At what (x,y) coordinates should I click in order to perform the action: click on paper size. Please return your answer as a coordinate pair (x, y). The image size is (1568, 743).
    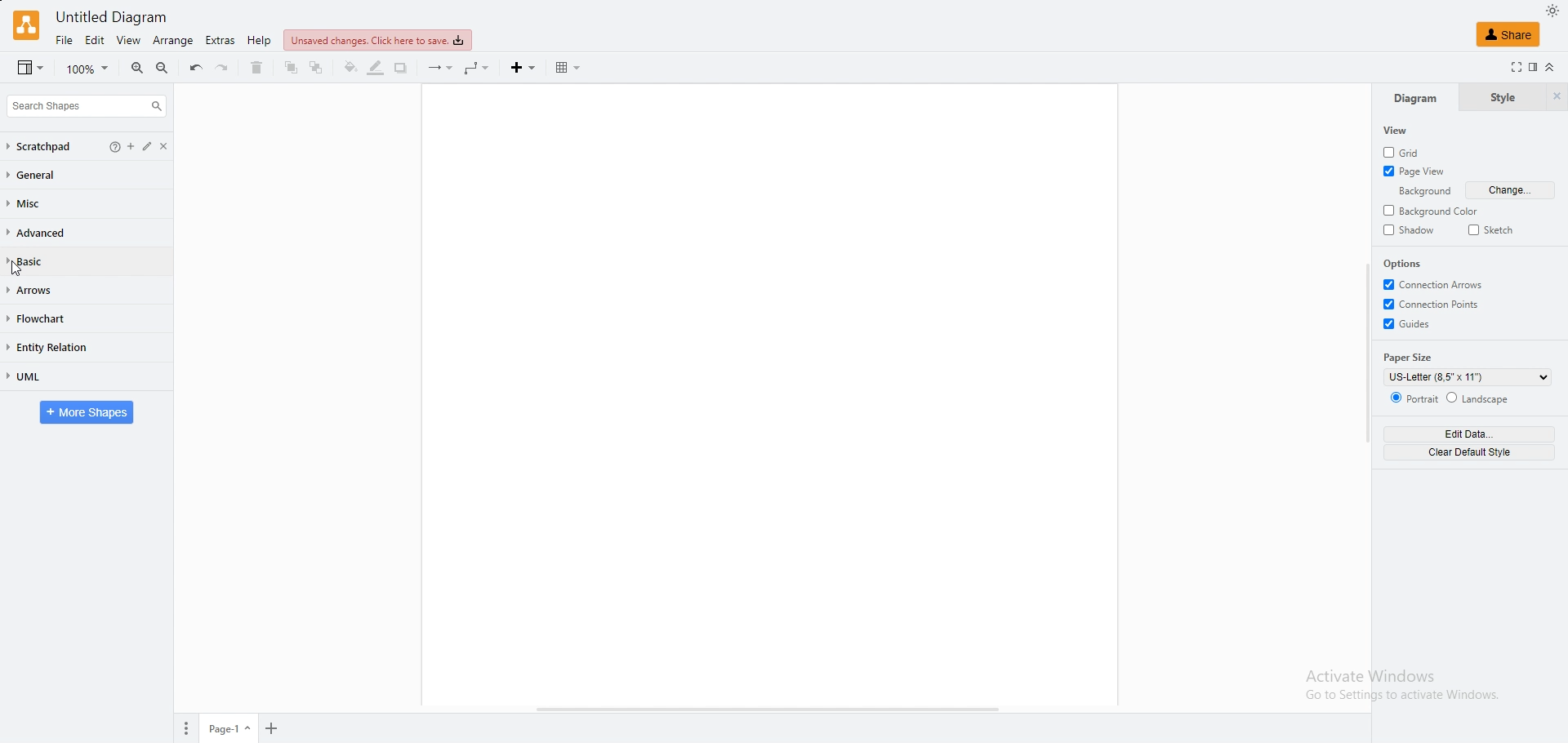
    Looking at the image, I should click on (1410, 357).